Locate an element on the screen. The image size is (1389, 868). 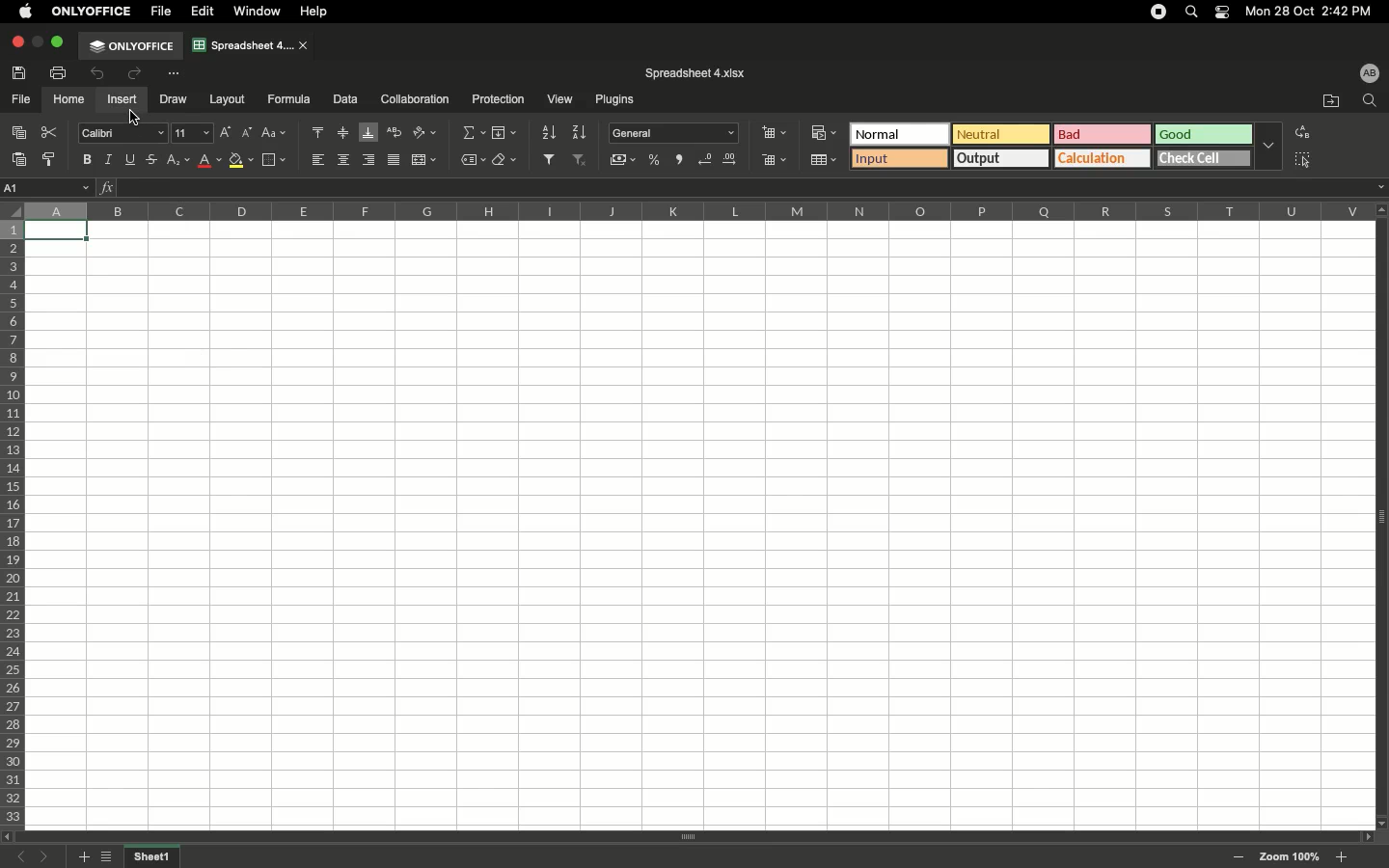
Good is located at coordinates (1206, 134).